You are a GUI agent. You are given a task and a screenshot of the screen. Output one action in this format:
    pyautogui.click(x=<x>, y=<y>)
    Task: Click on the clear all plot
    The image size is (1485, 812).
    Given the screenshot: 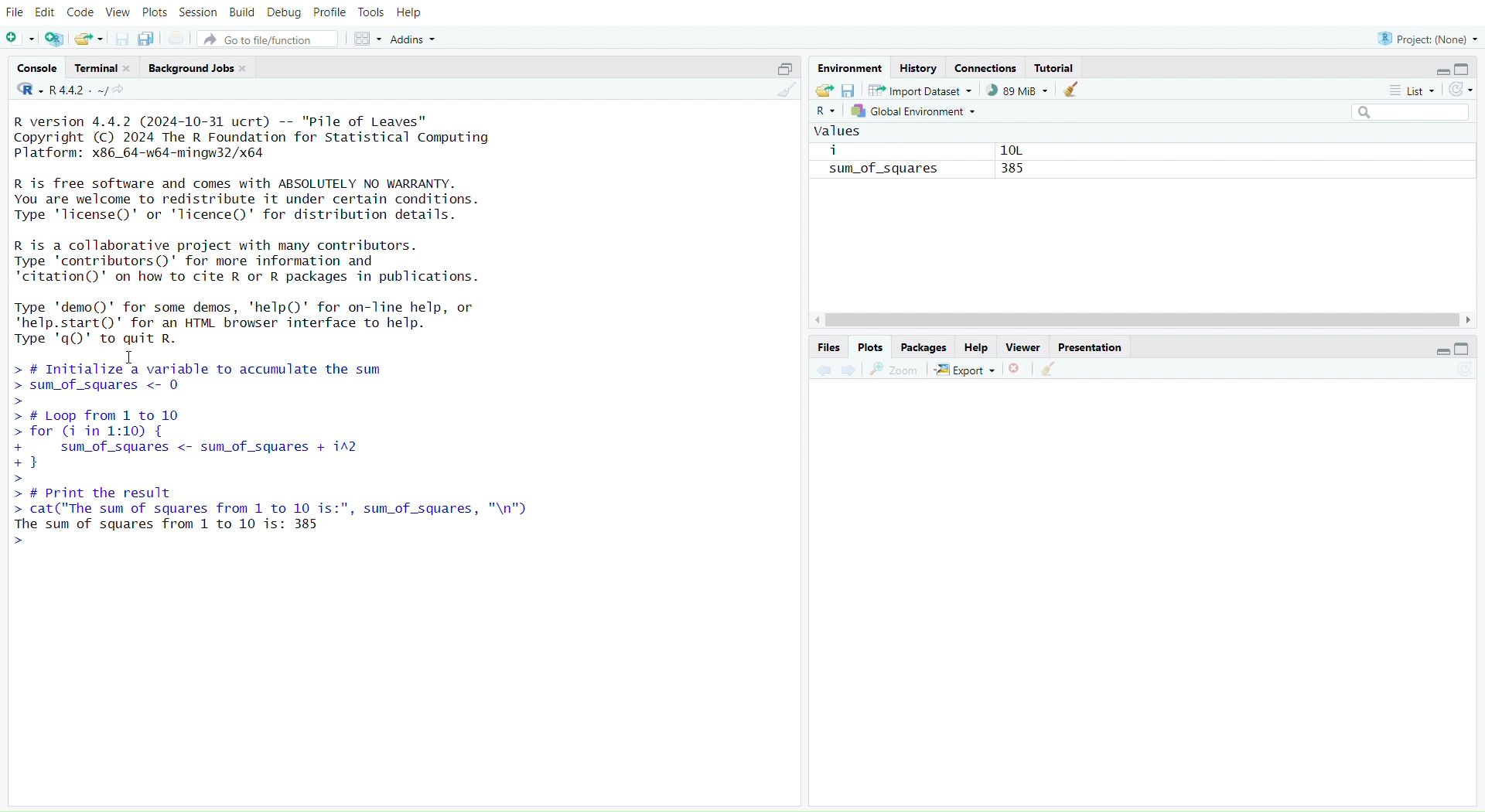 What is the action you would take?
    pyautogui.click(x=1047, y=369)
    